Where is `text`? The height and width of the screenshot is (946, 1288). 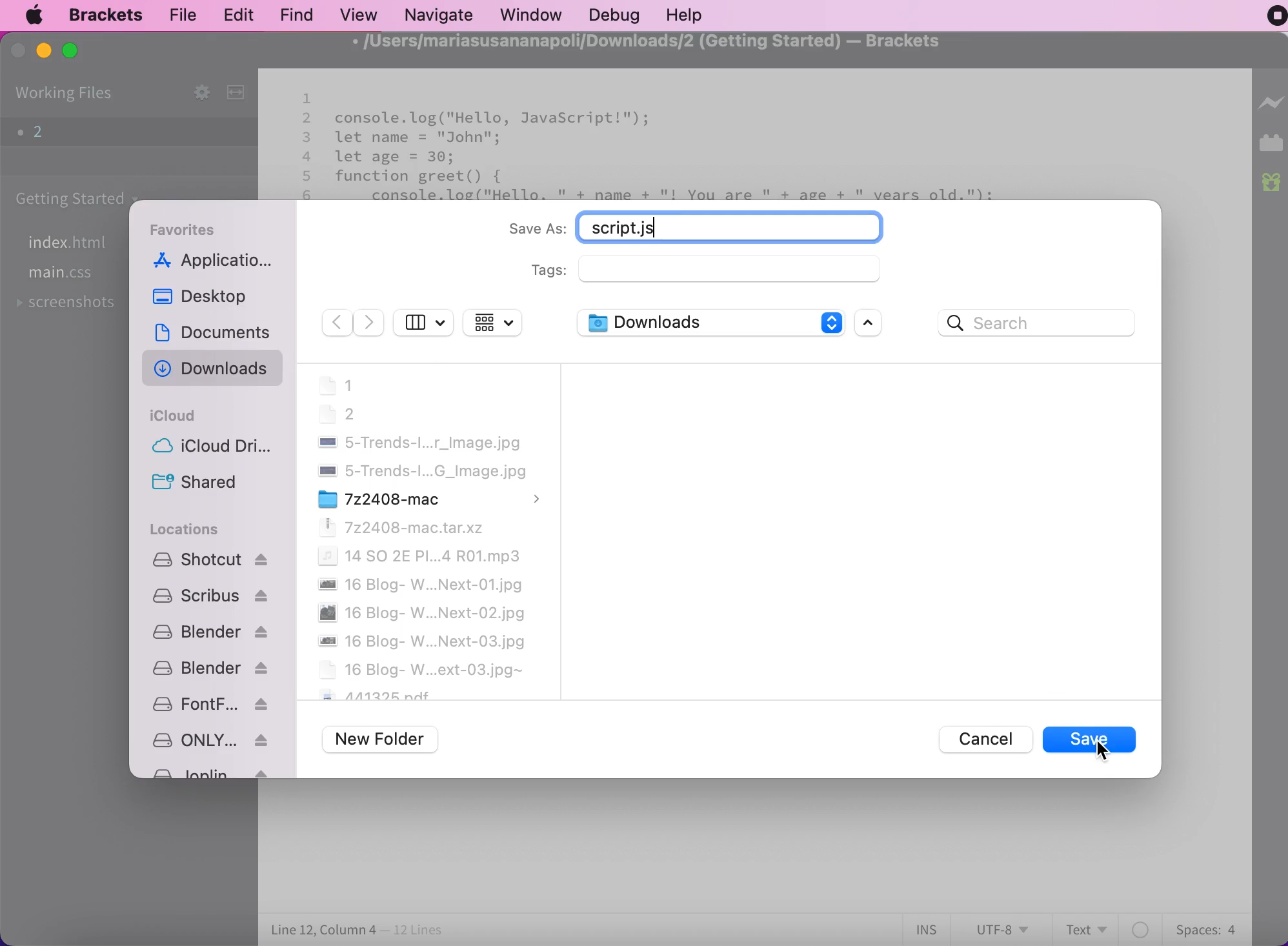
text is located at coordinates (1089, 928).